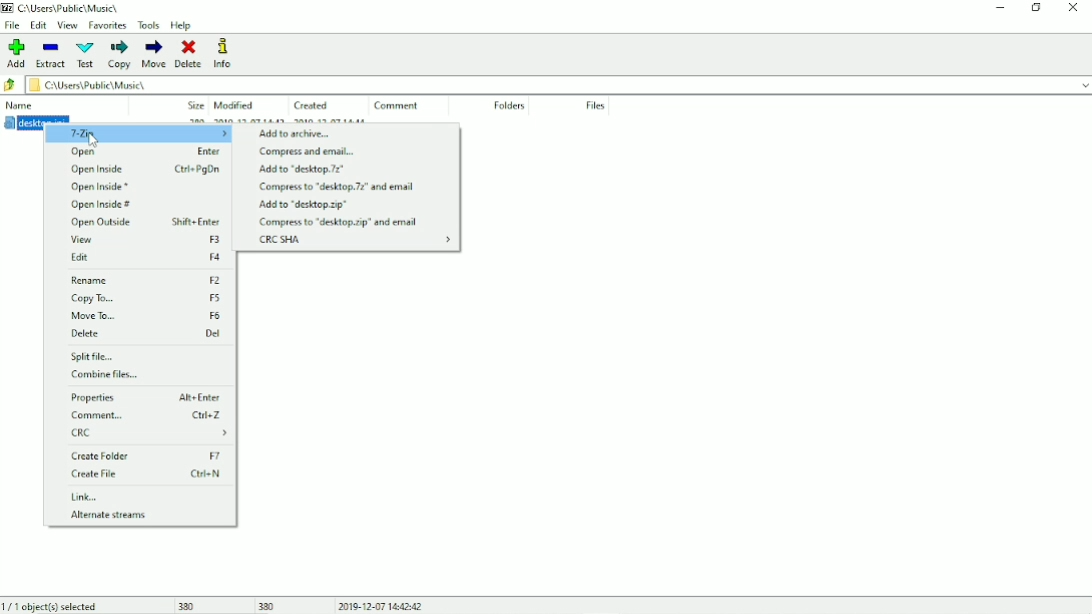 The image size is (1092, 614). What do you see at coordinates (68, 25) in the screenshot?
I see `View` at bounding box center [68, 25].